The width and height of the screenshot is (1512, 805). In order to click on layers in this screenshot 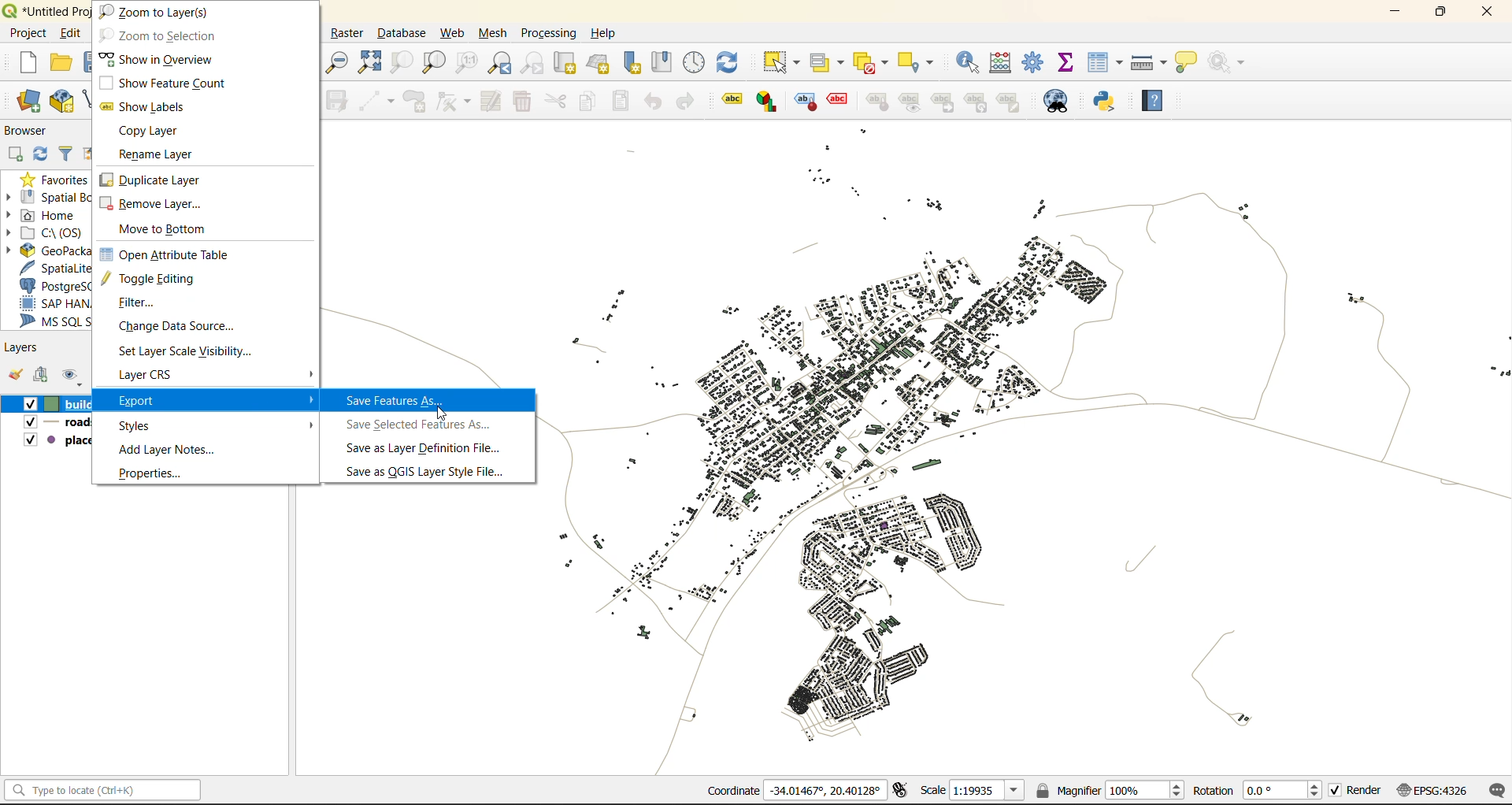, I will do `click(22, 347)`.